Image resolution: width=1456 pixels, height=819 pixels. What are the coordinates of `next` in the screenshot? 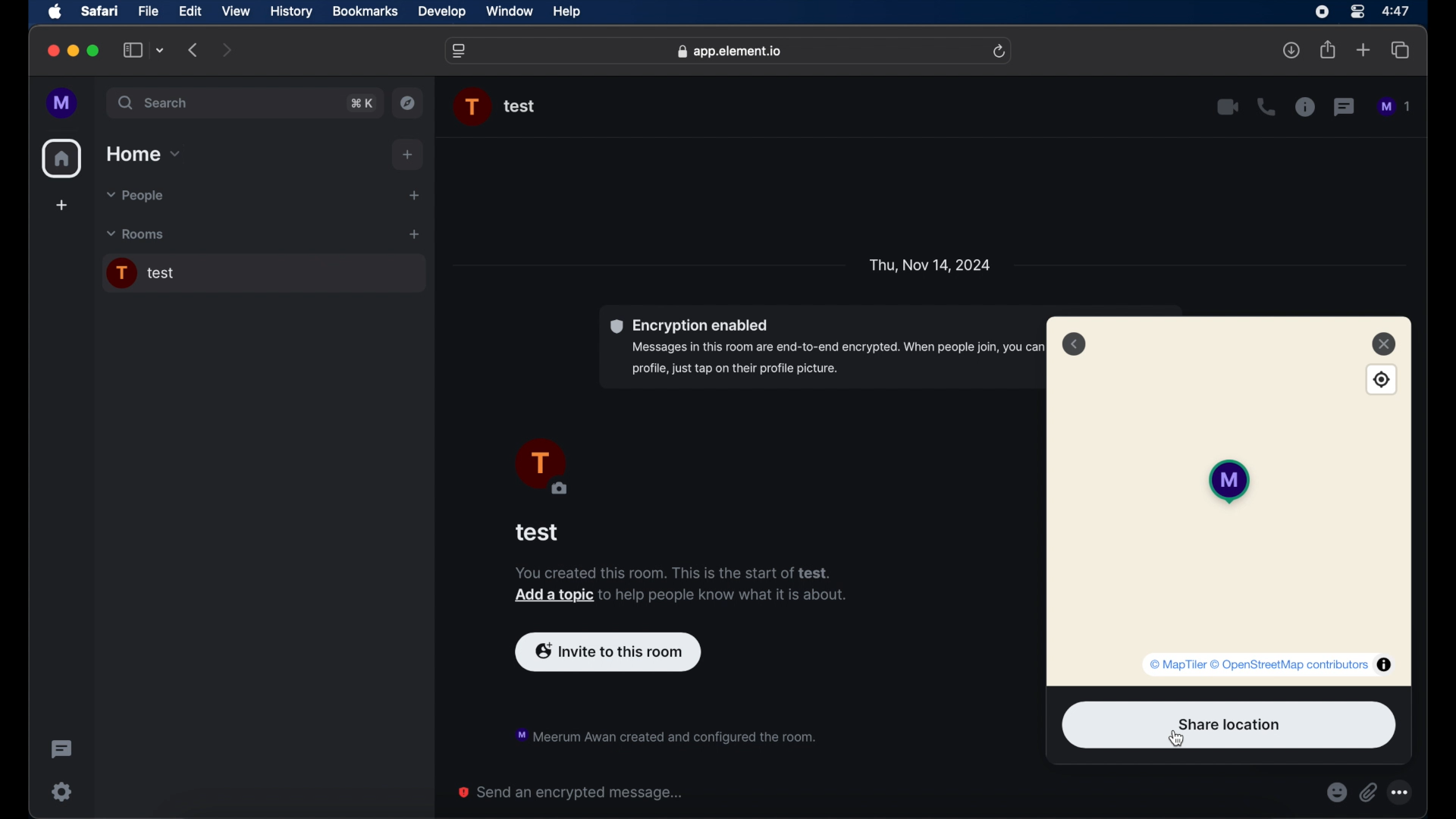 It's located at (227, 49).